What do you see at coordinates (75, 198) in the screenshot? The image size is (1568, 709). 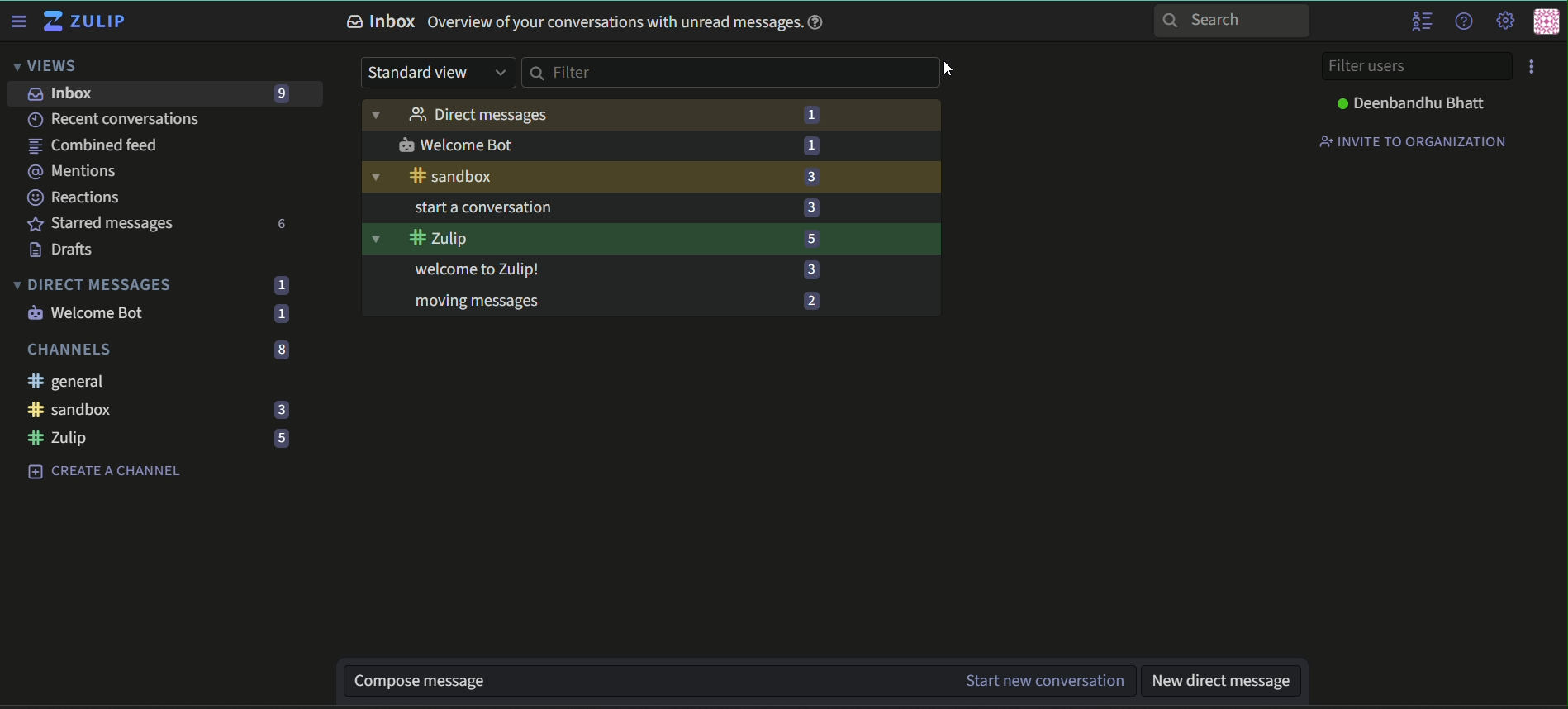 I see `Reactions` at bounding box center [75, 198].